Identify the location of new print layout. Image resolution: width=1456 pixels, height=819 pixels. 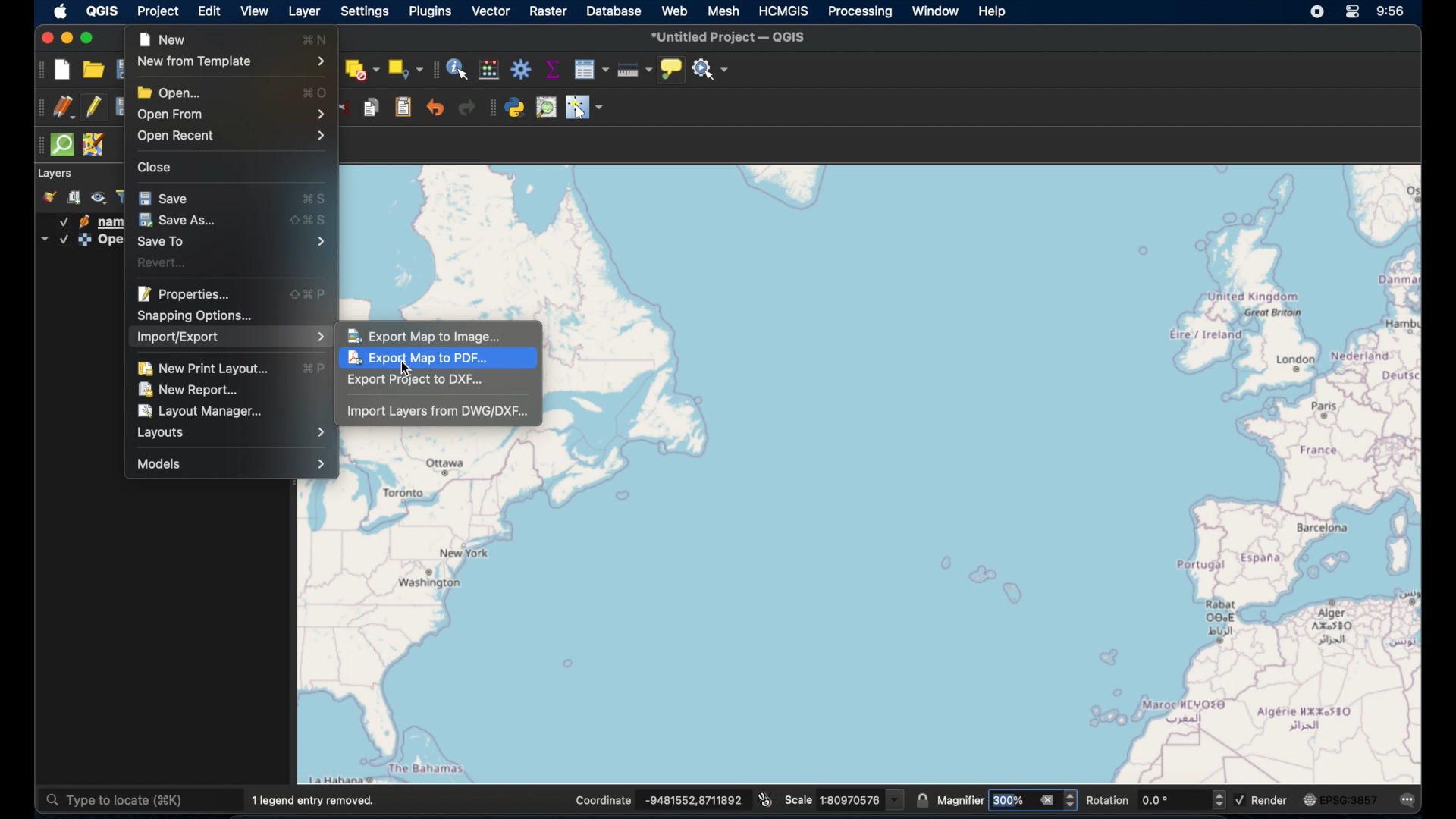
(202, 369).